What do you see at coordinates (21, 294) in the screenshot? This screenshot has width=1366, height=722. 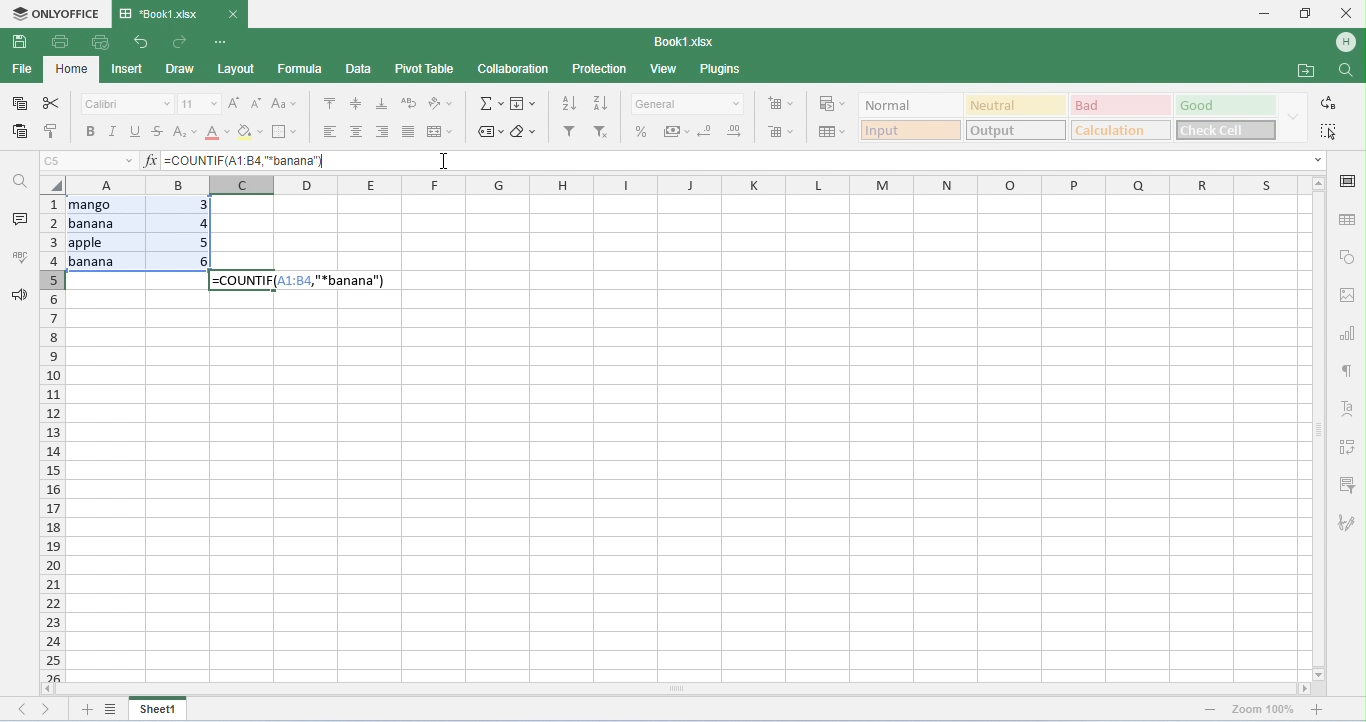 I see `feedback and support` at bounding box center [21, 294].